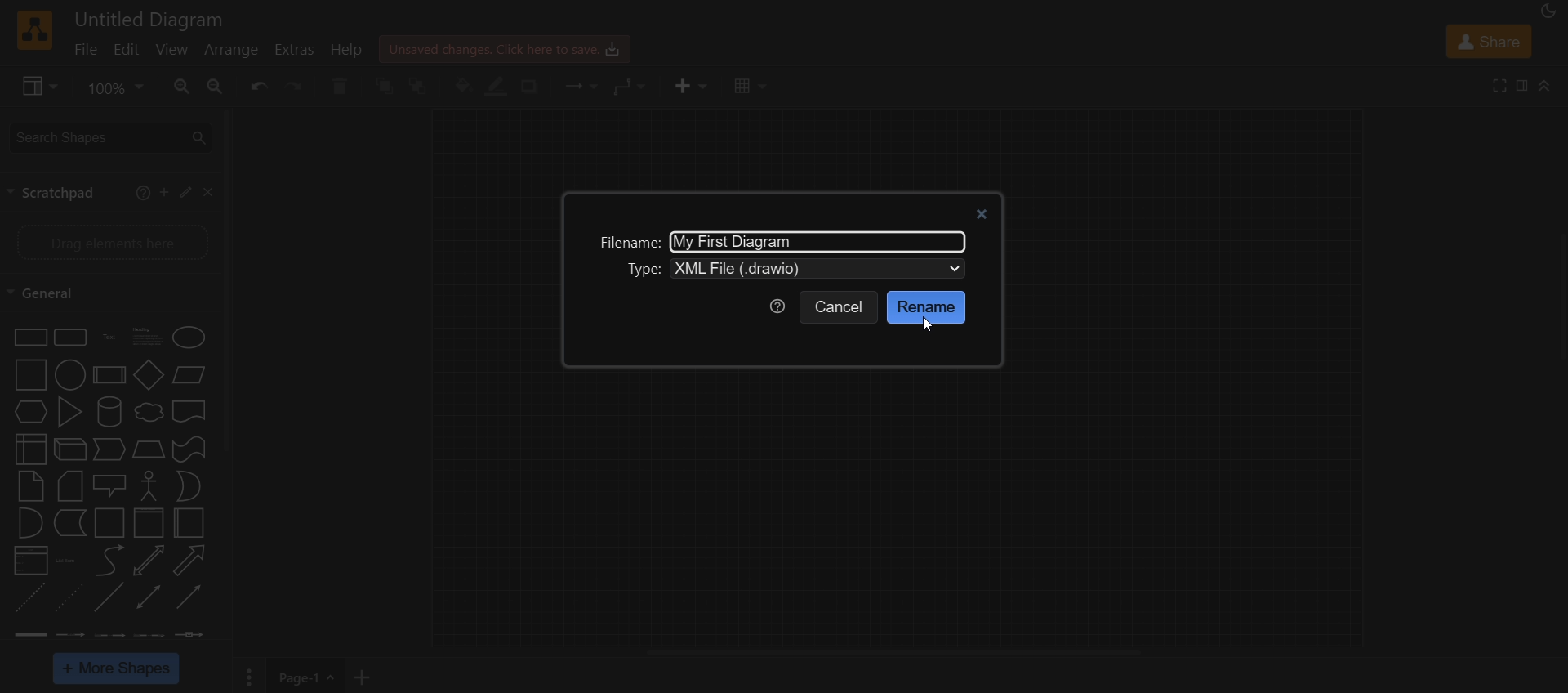  Describe the element at coordinates (1490, 43) in the screenshot. I see `share` at that location.